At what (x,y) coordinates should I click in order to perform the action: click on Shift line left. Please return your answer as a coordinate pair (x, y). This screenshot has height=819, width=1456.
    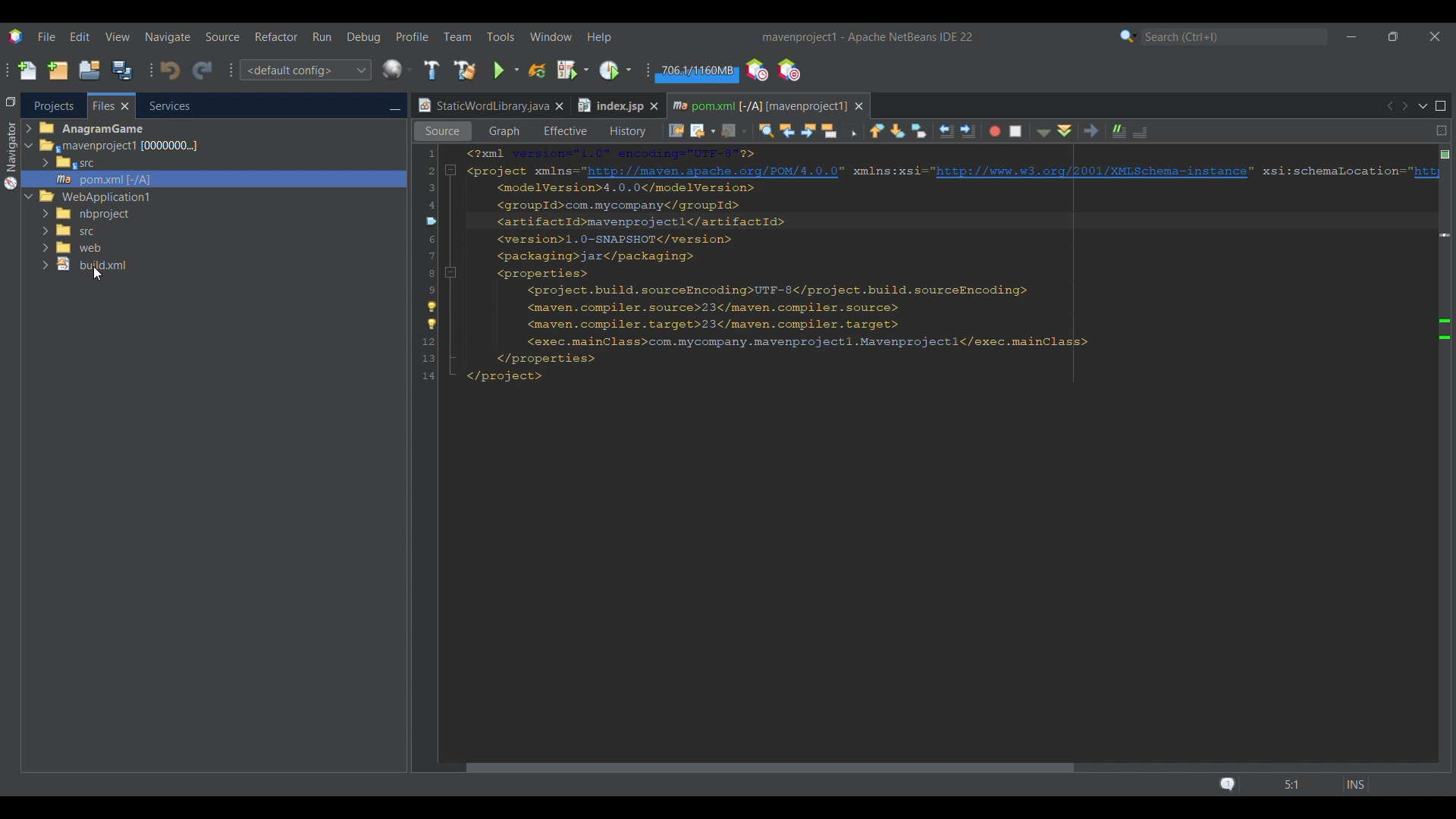
    Looking at the image, I should click on (944, 136).